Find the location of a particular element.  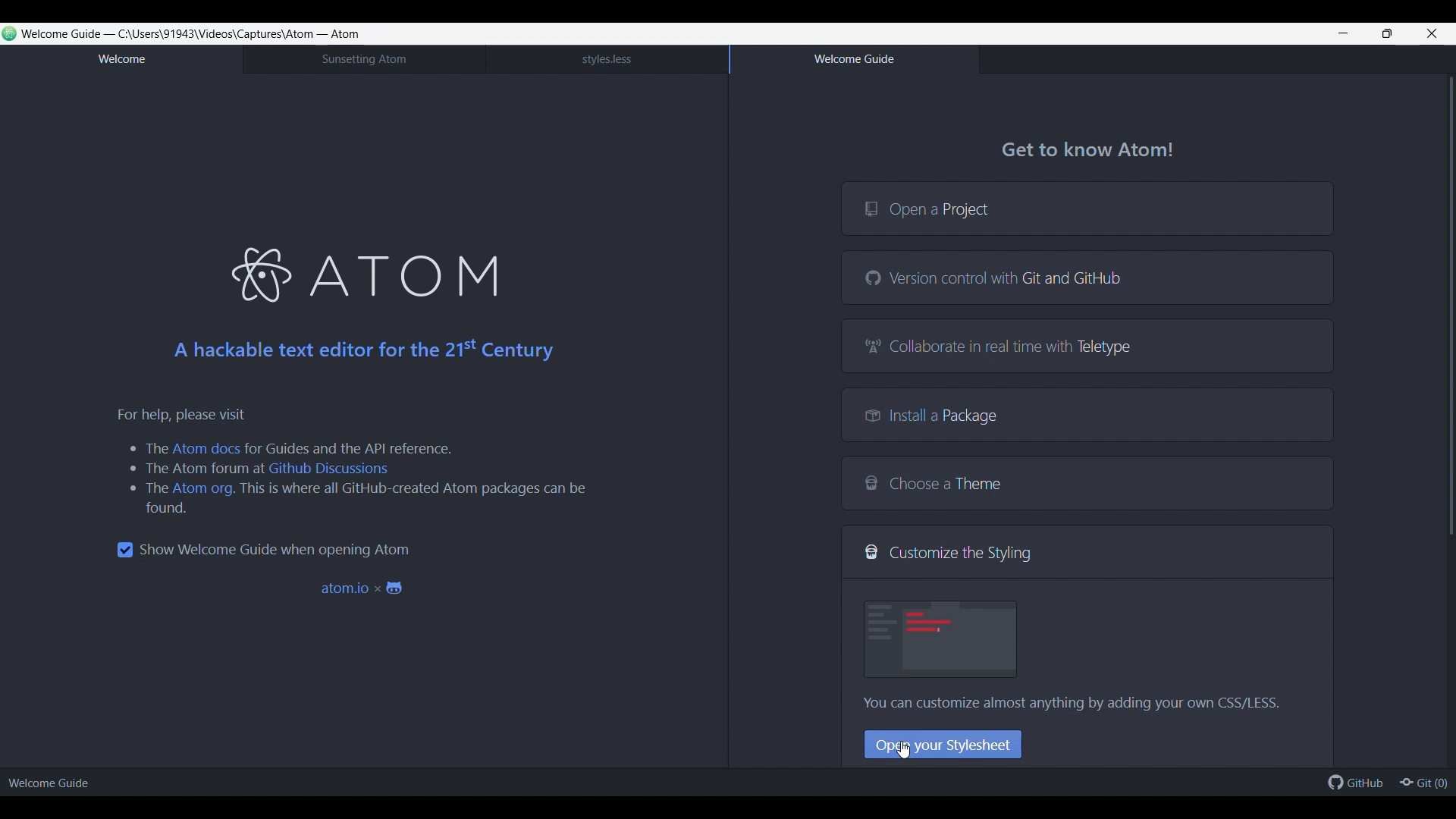

Atom docs is located at coordinates (207, 448).